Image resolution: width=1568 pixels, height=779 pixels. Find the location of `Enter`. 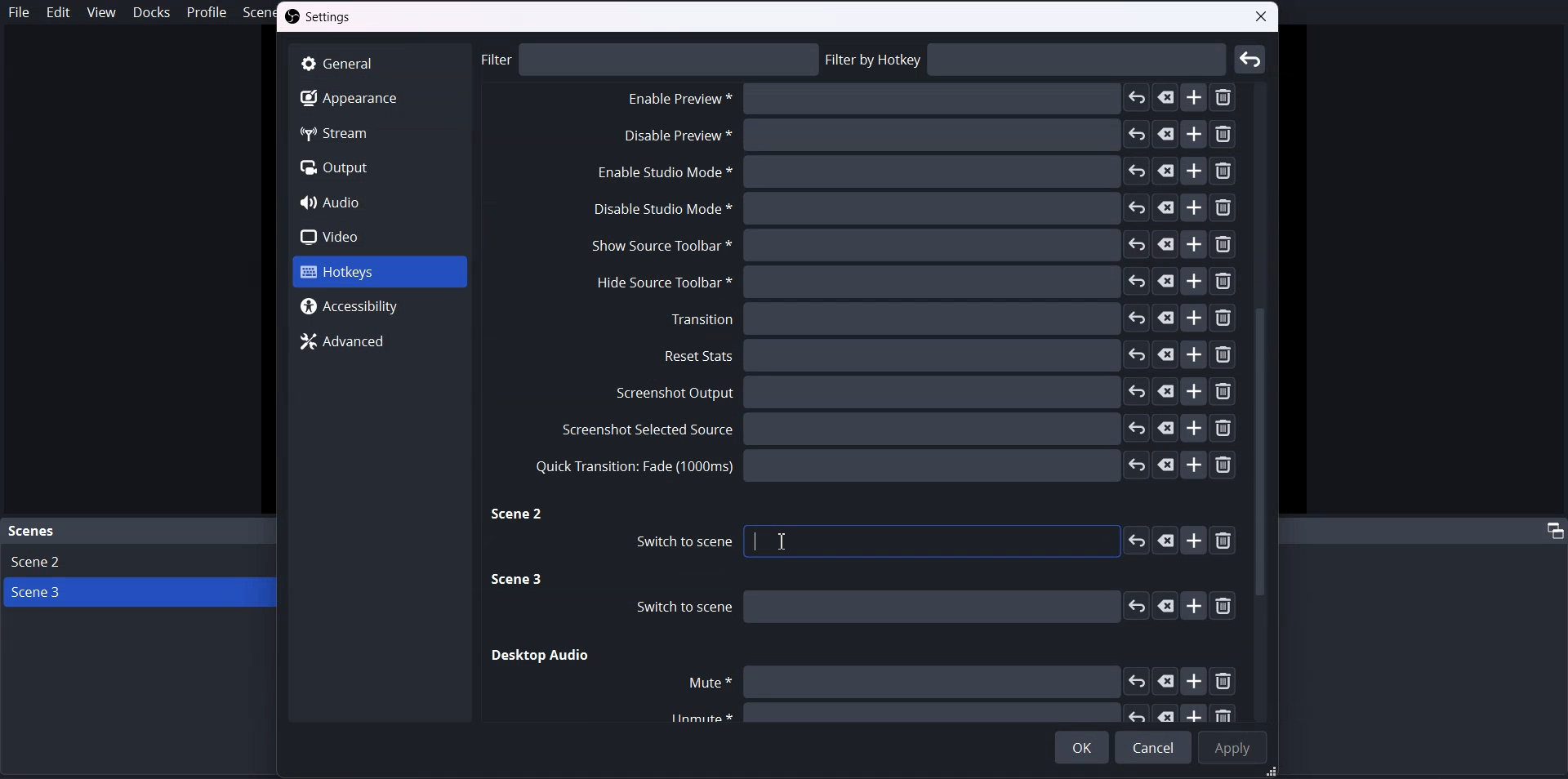

Enter is located at coordinates (1251, 59).